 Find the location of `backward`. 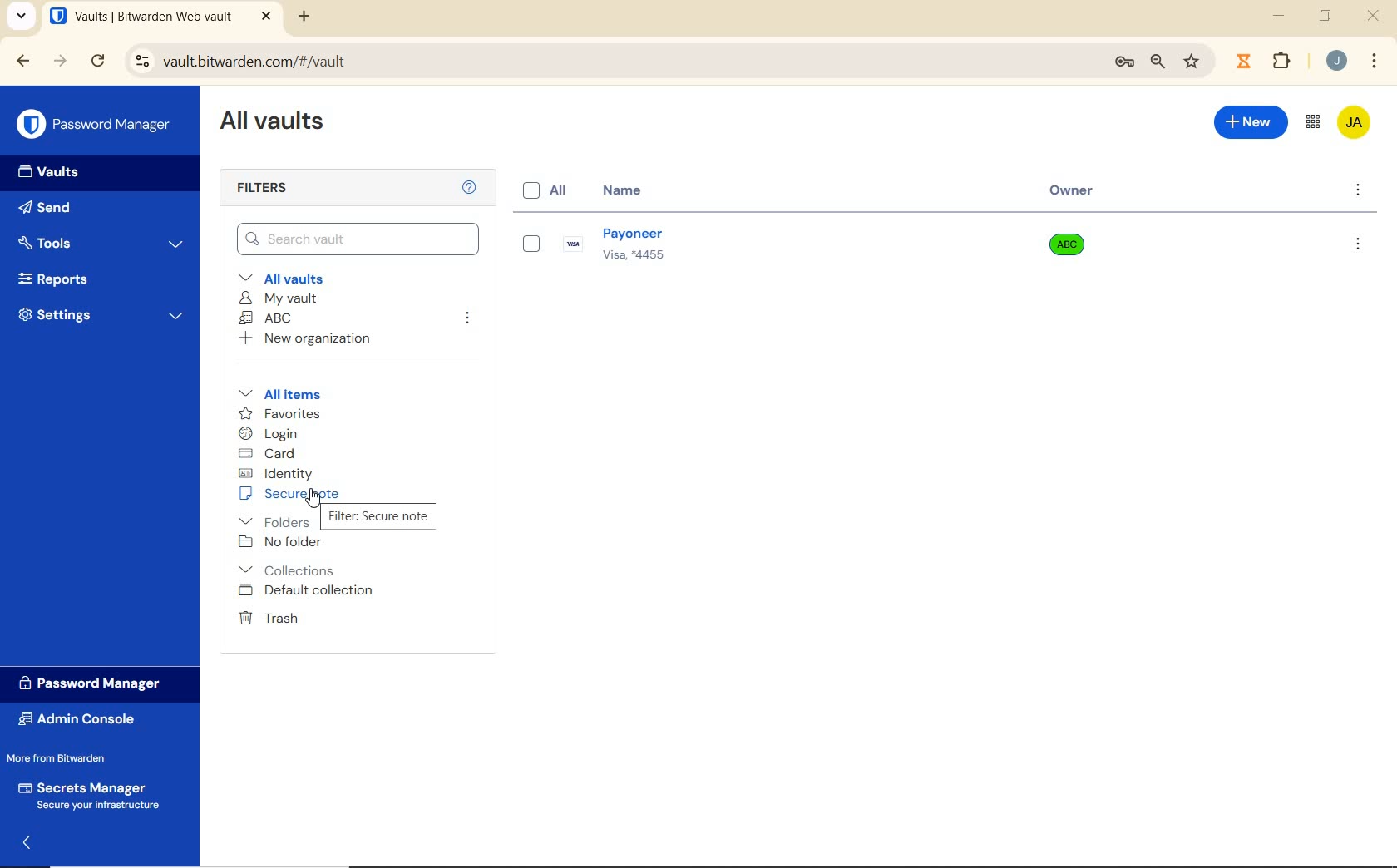

backward is located at coordinates (23, 62).